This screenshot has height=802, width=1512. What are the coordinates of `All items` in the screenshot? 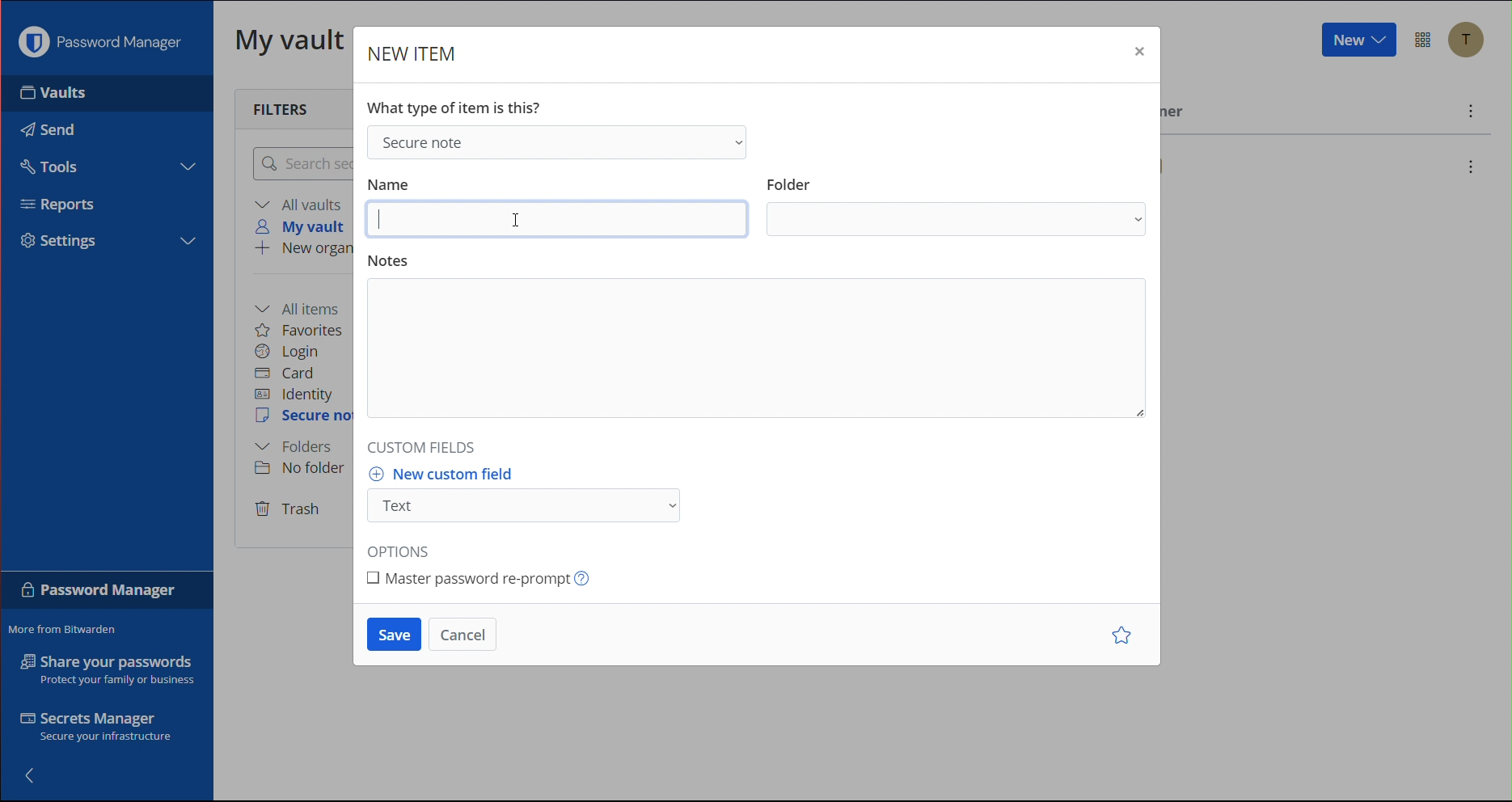 It's located at (302, 307).